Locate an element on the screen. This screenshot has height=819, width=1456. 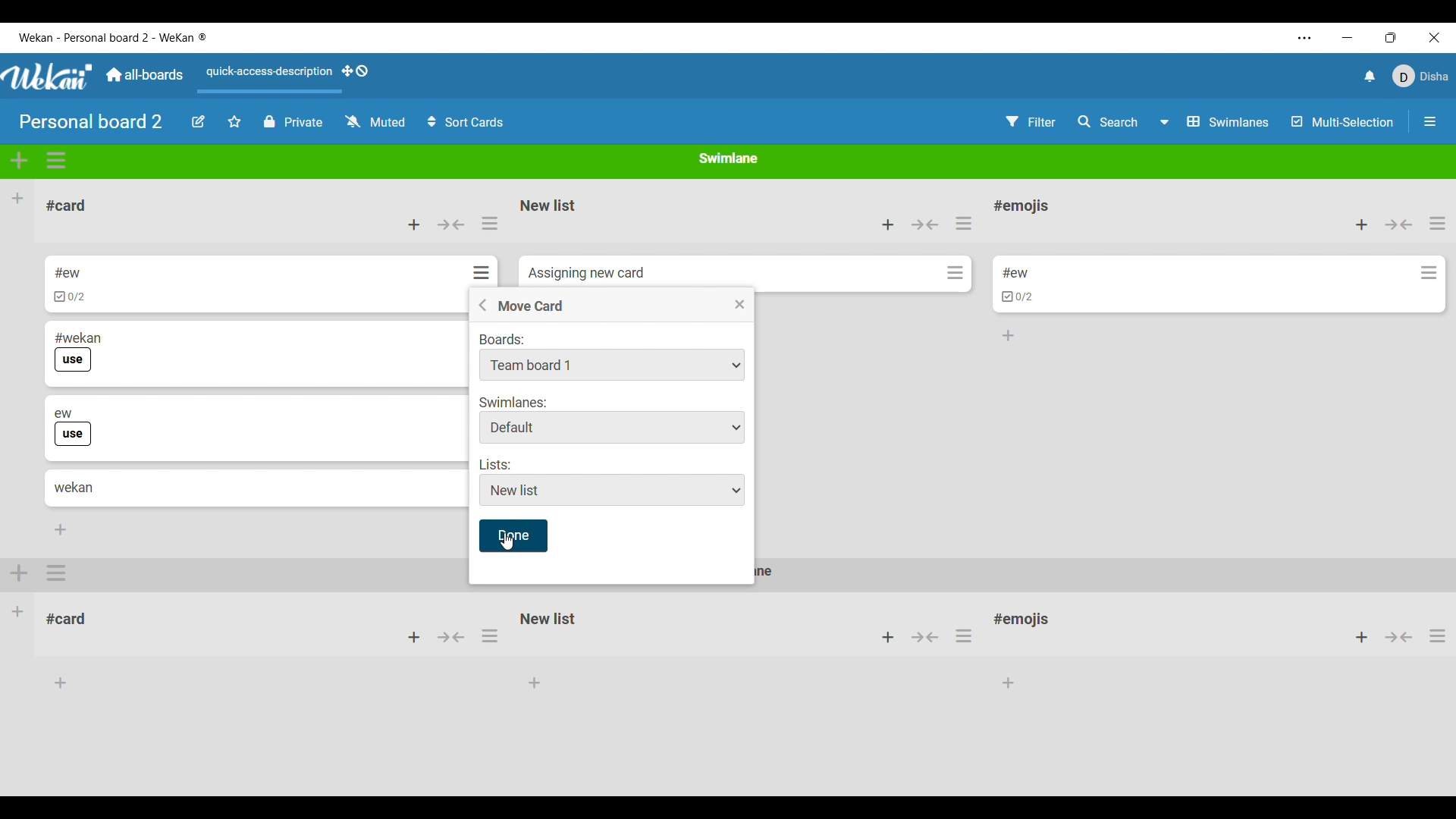
Other Swimlane in the board is located at coordinates (18, 610).